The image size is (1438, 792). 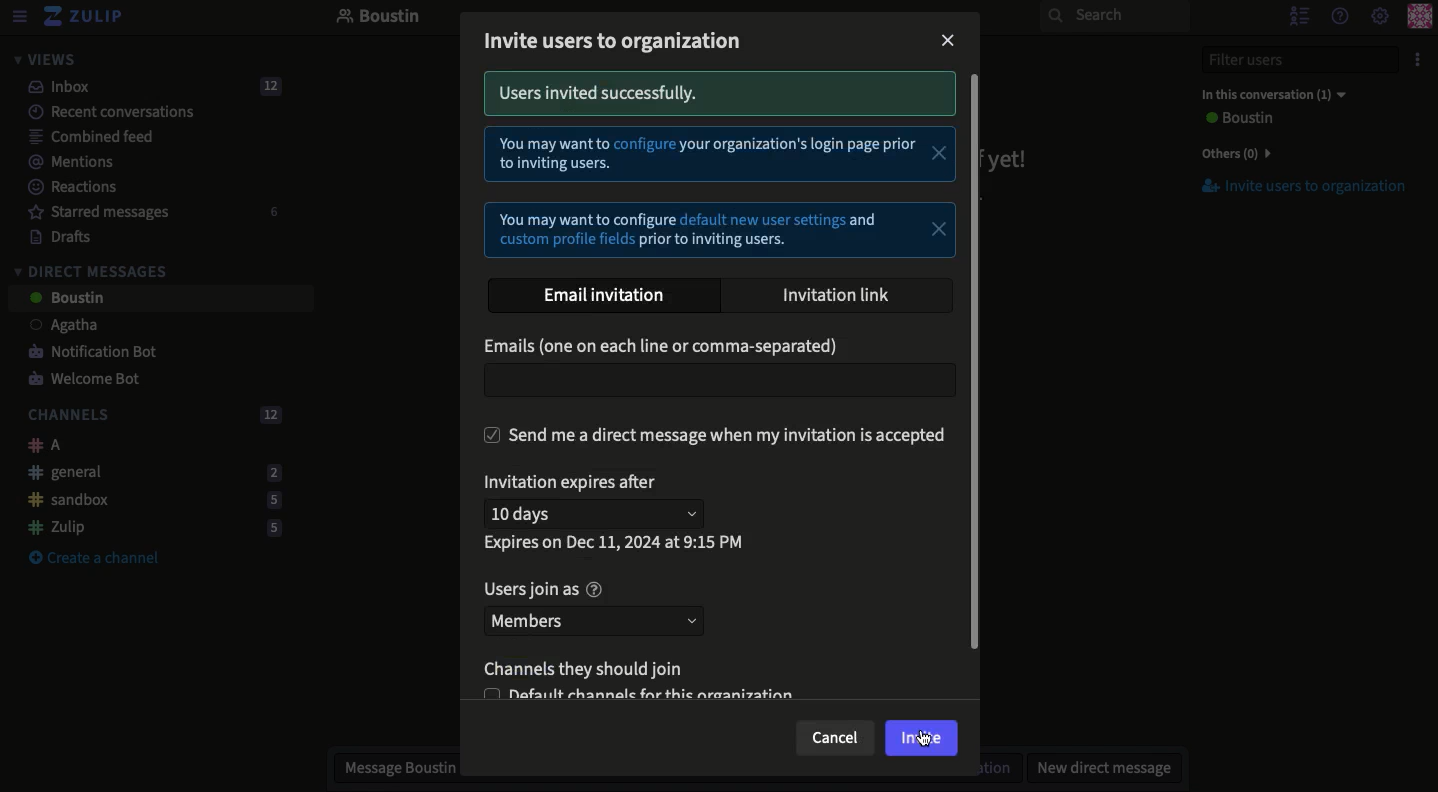 What do you see at coordinates (51, 236) in the screenshot?
I see `Drafts` at bounding box center [51, 236].